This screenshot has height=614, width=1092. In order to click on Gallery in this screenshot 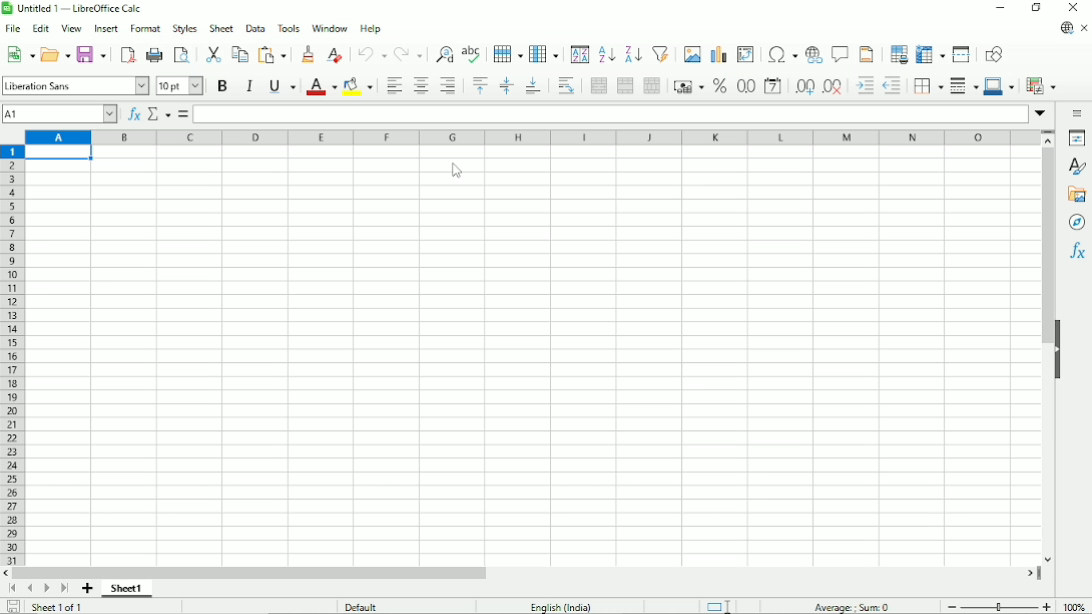, I will do `click(1077, 195)`.